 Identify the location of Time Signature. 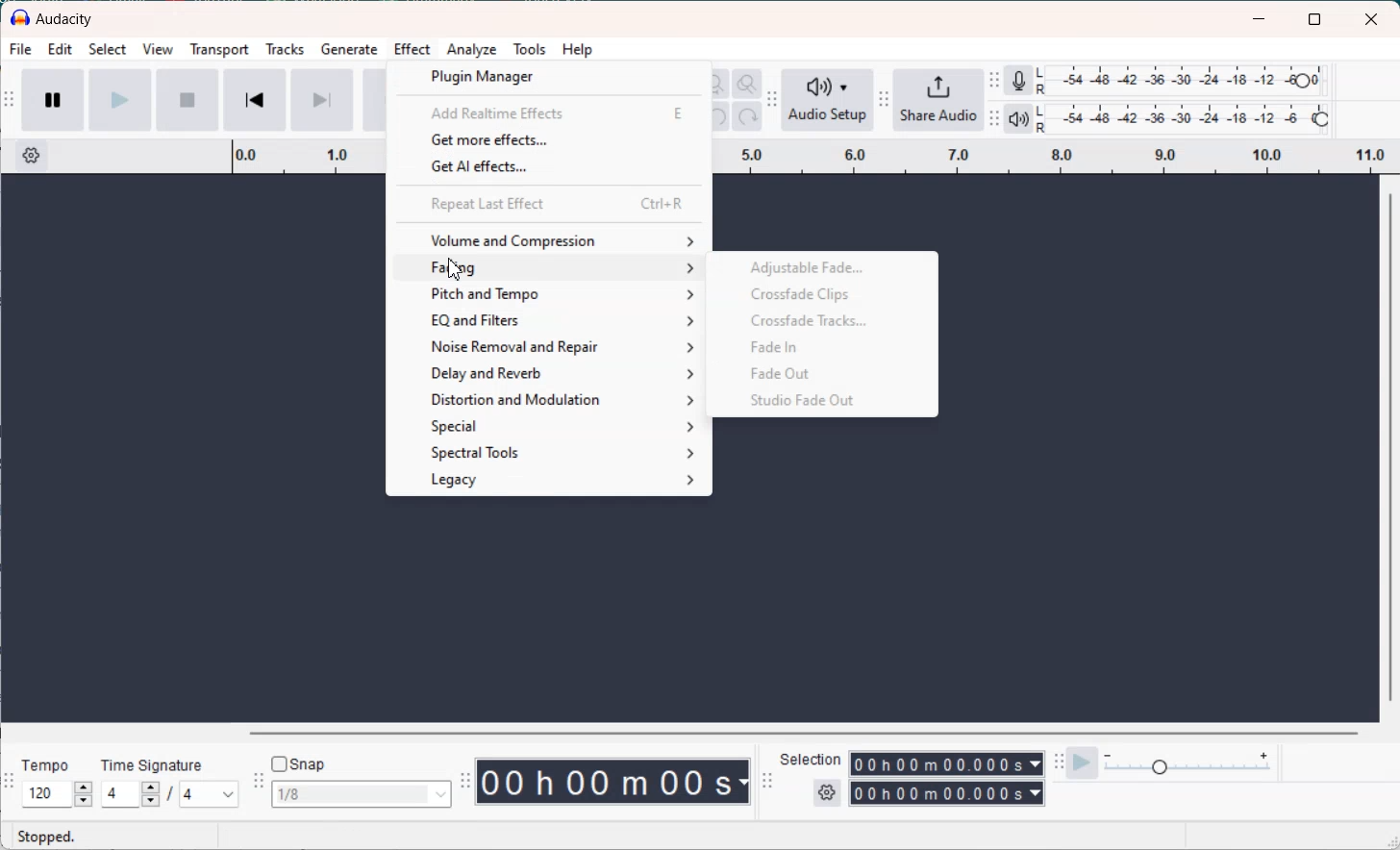
(152, 762).